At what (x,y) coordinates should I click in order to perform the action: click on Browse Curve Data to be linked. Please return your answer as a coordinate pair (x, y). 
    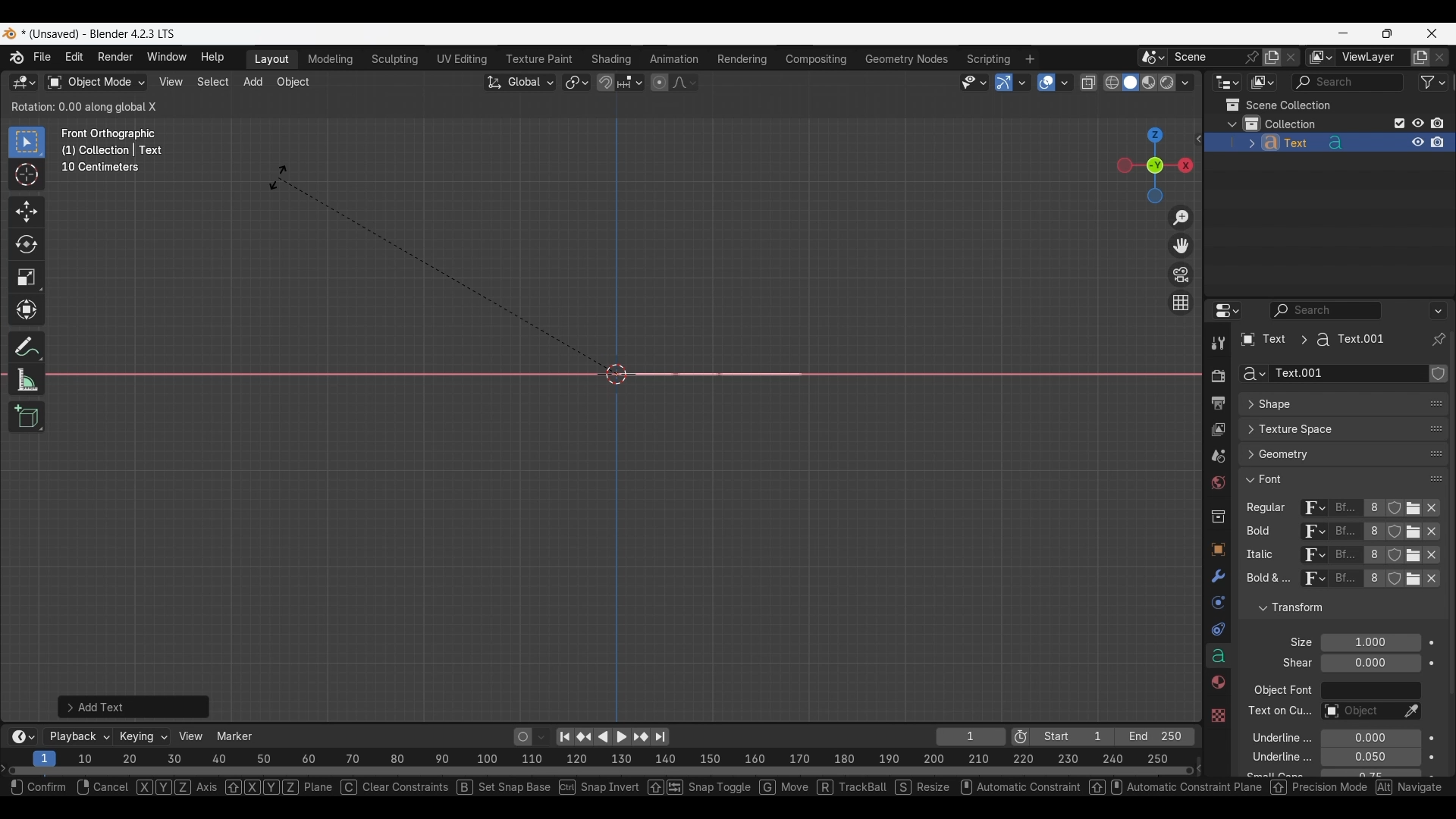
    Looking at the image, I should click on (1251, 374).